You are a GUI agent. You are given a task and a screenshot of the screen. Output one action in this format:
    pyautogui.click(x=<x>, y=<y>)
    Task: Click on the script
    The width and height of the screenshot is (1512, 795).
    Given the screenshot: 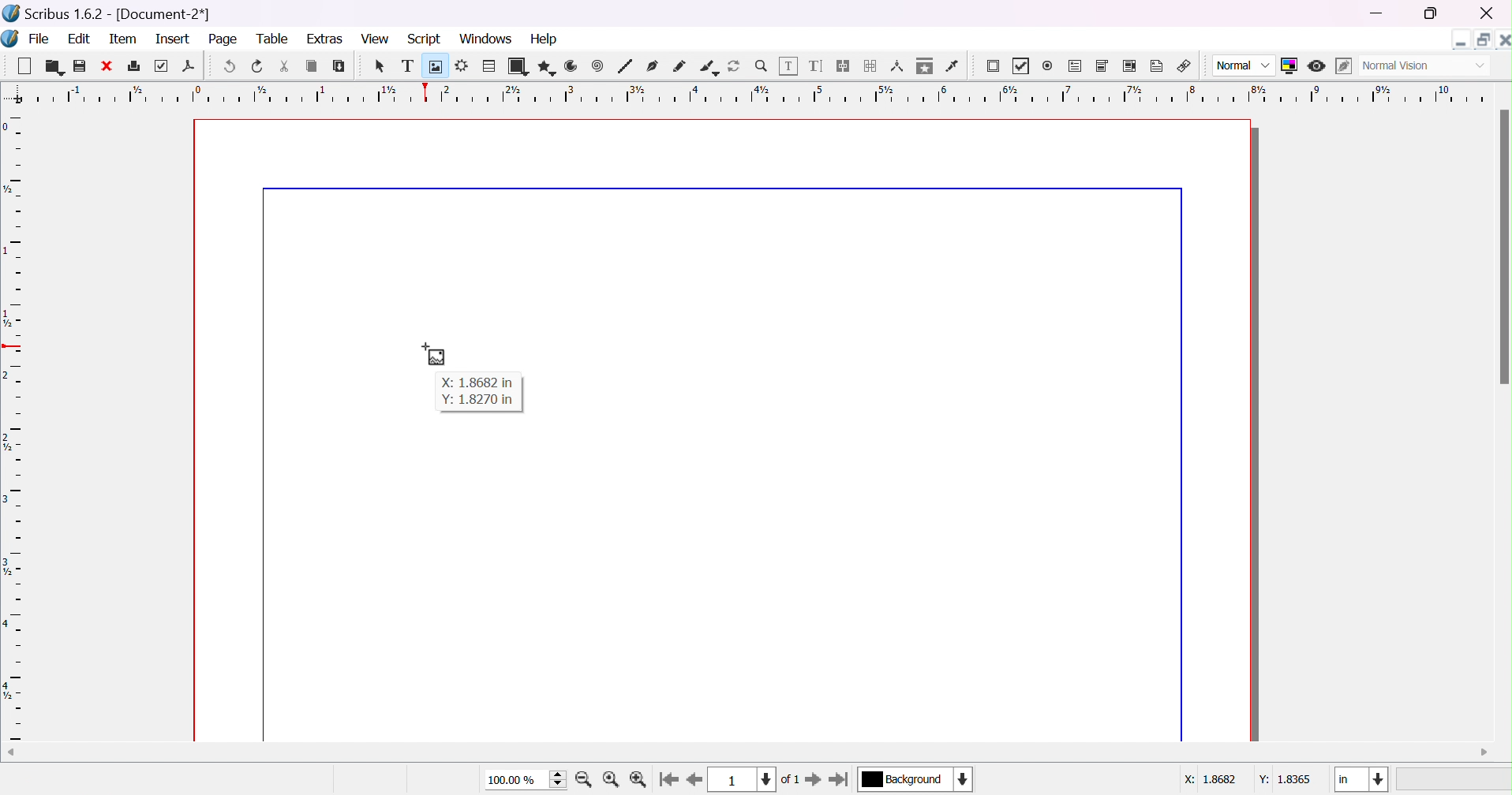 What is the action you would take?
    pyautogui.click(x=425, y=39)
    